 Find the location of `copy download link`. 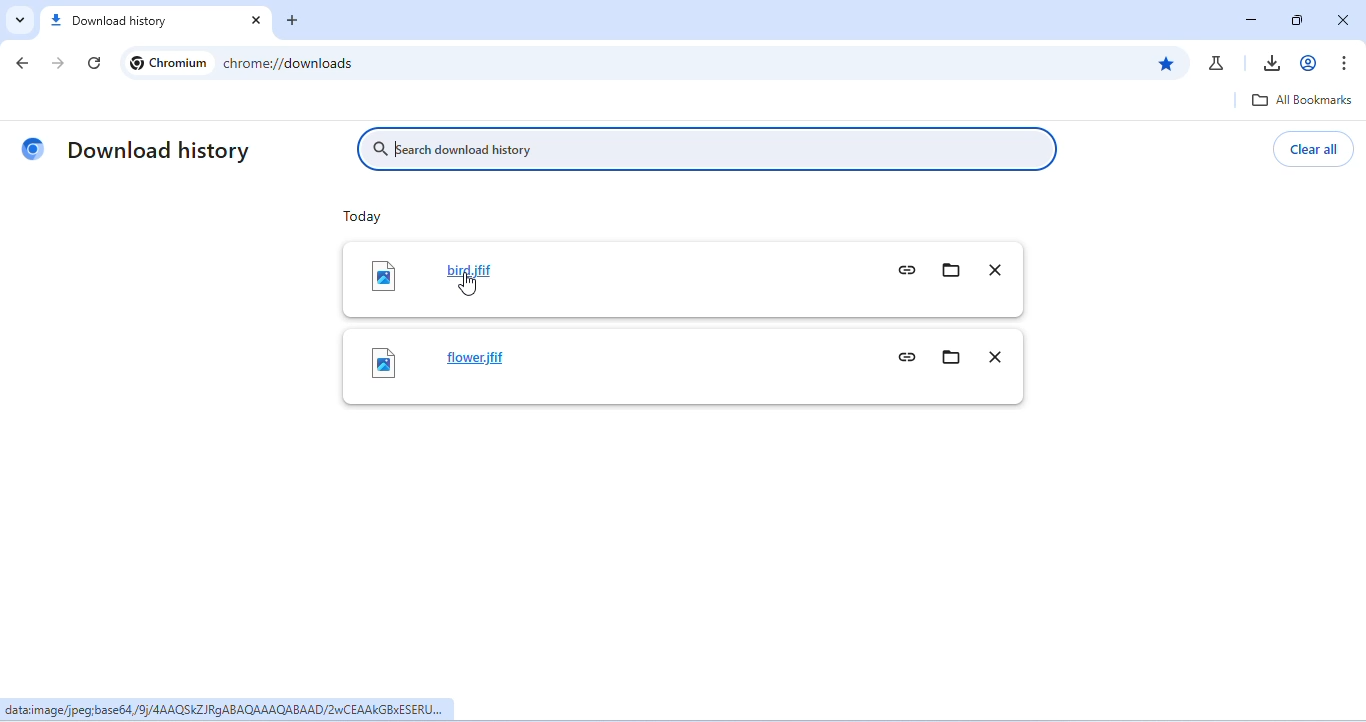

copy download link is located at coordinates (909, 270).